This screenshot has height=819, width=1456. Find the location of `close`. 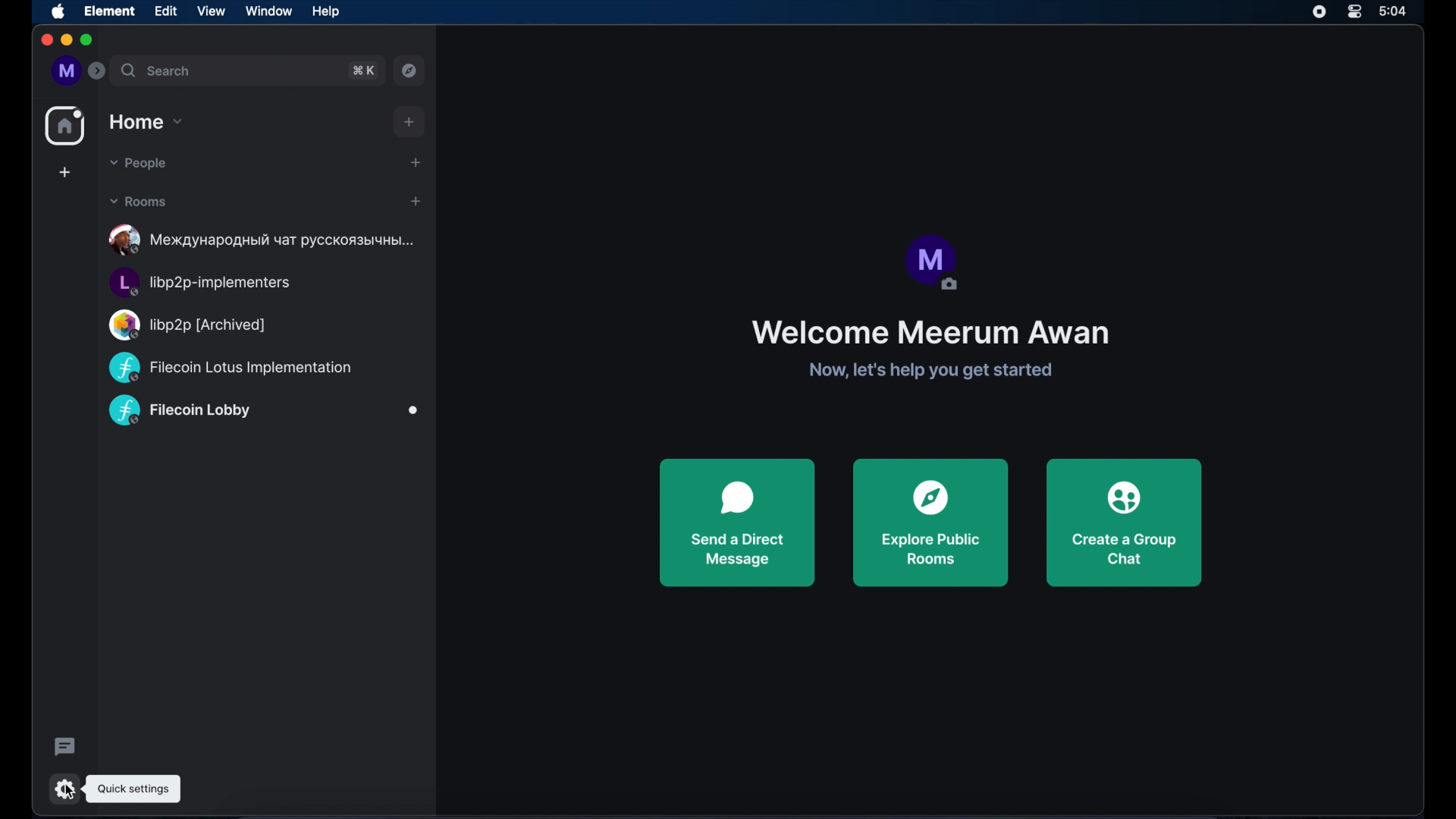

close is located at coordinates (45, 40).